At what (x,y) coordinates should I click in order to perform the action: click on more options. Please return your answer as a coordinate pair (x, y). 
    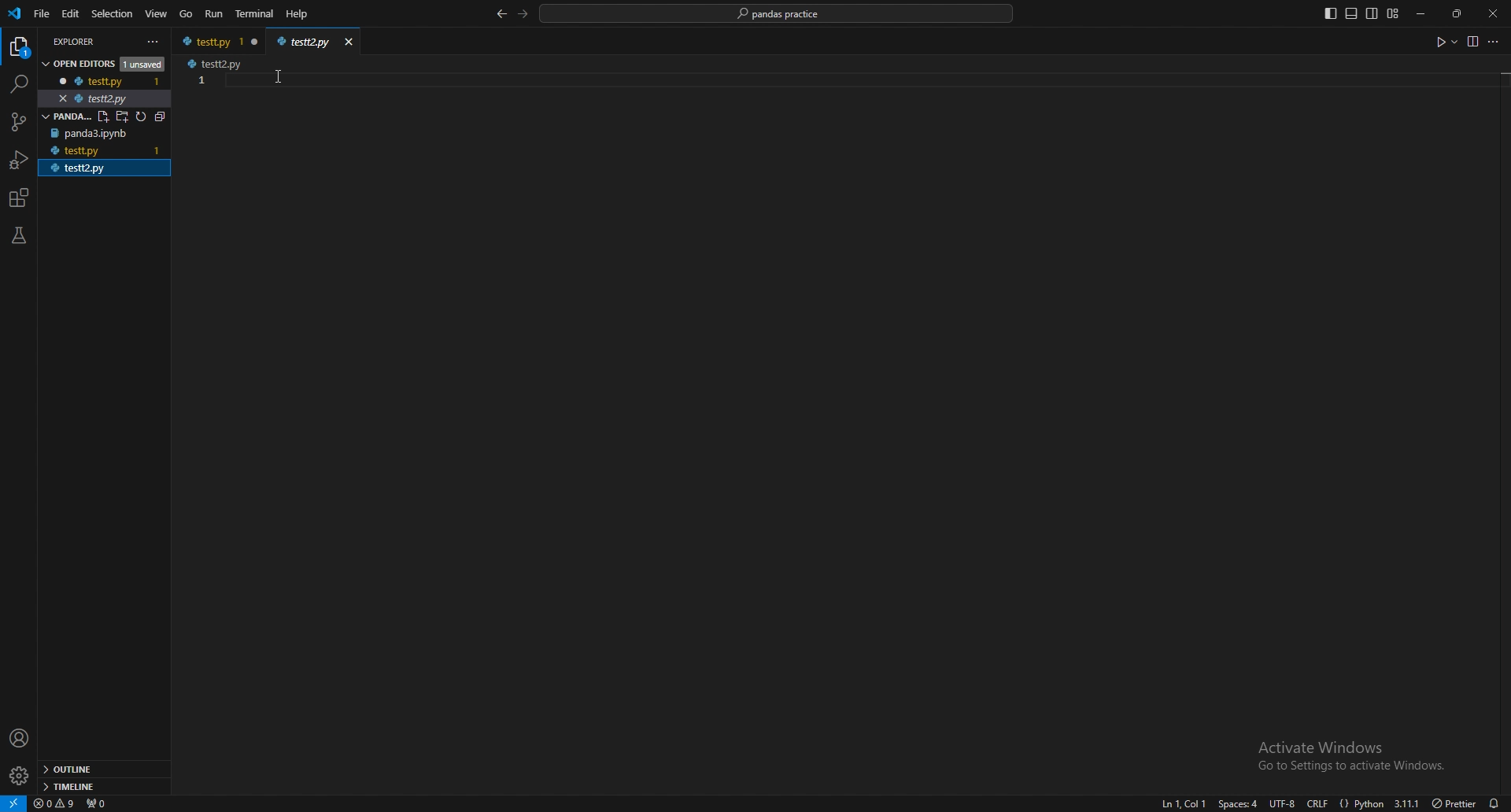
    Looking at the image, I should click on (1496, 43).